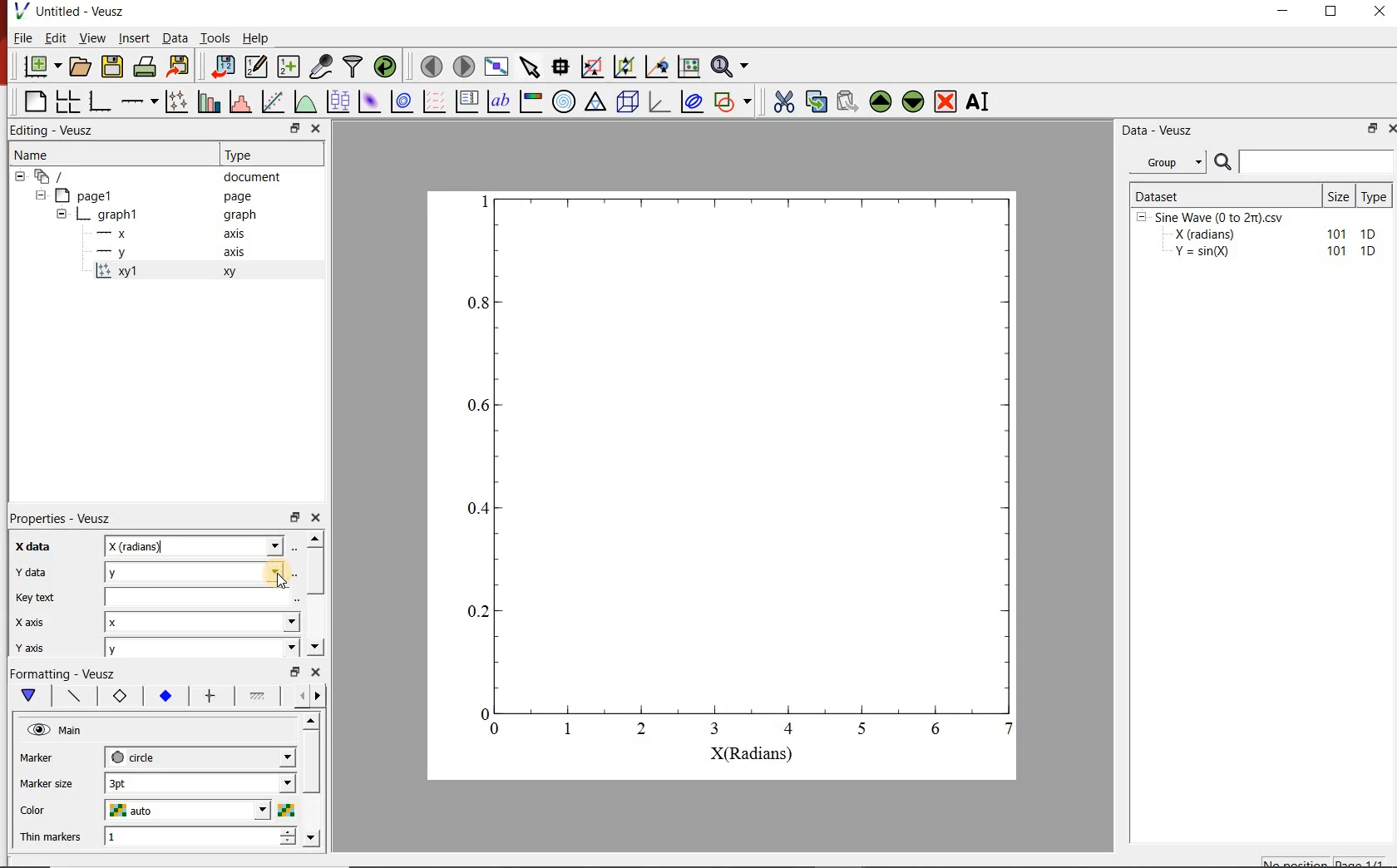  I want to click on remove, so click(945, 101).